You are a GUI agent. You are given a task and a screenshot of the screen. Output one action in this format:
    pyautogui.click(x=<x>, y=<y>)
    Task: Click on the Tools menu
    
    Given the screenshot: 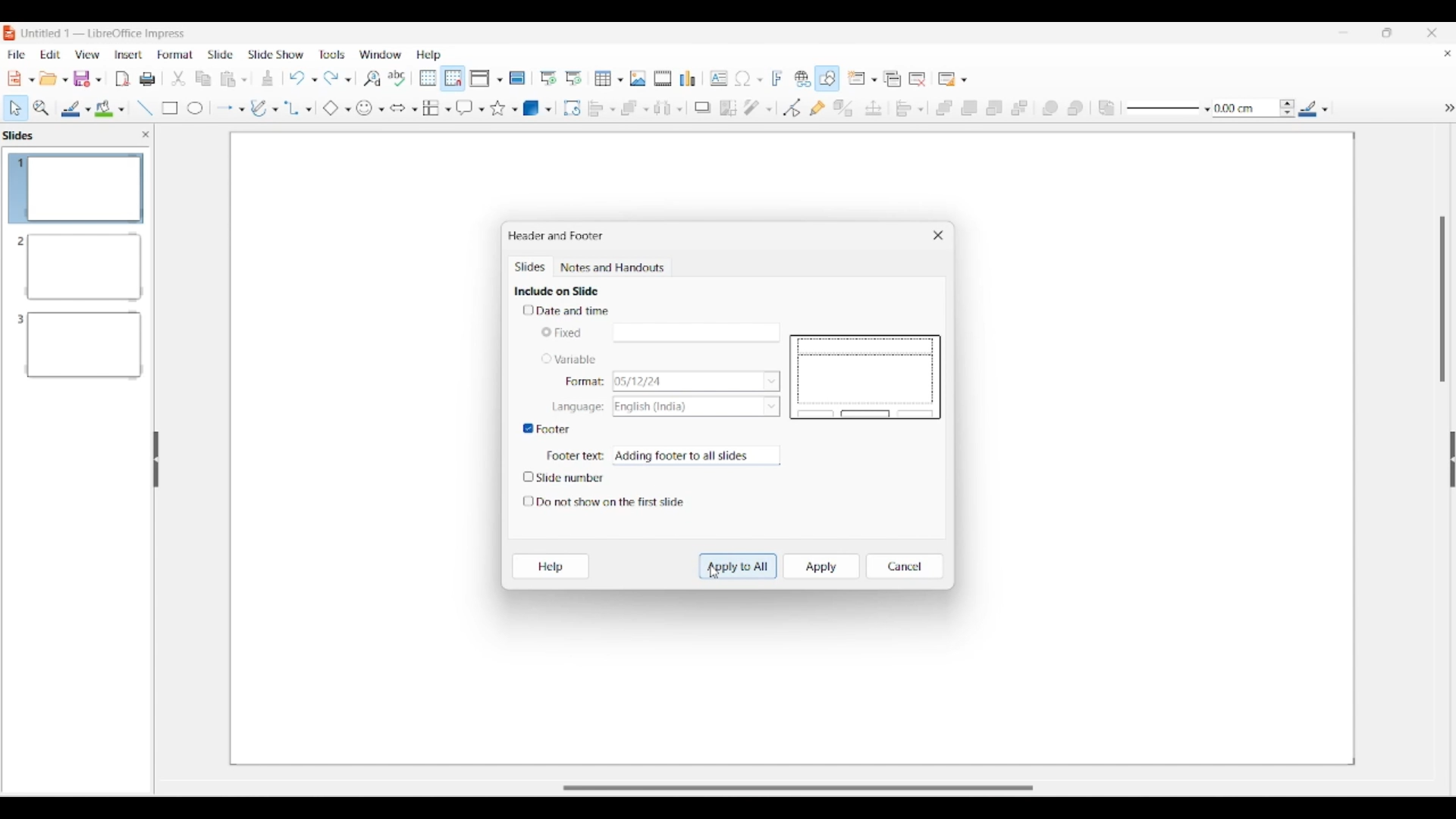 What is the action you would take?
    pyautogui.click(x=332, y=55)
    